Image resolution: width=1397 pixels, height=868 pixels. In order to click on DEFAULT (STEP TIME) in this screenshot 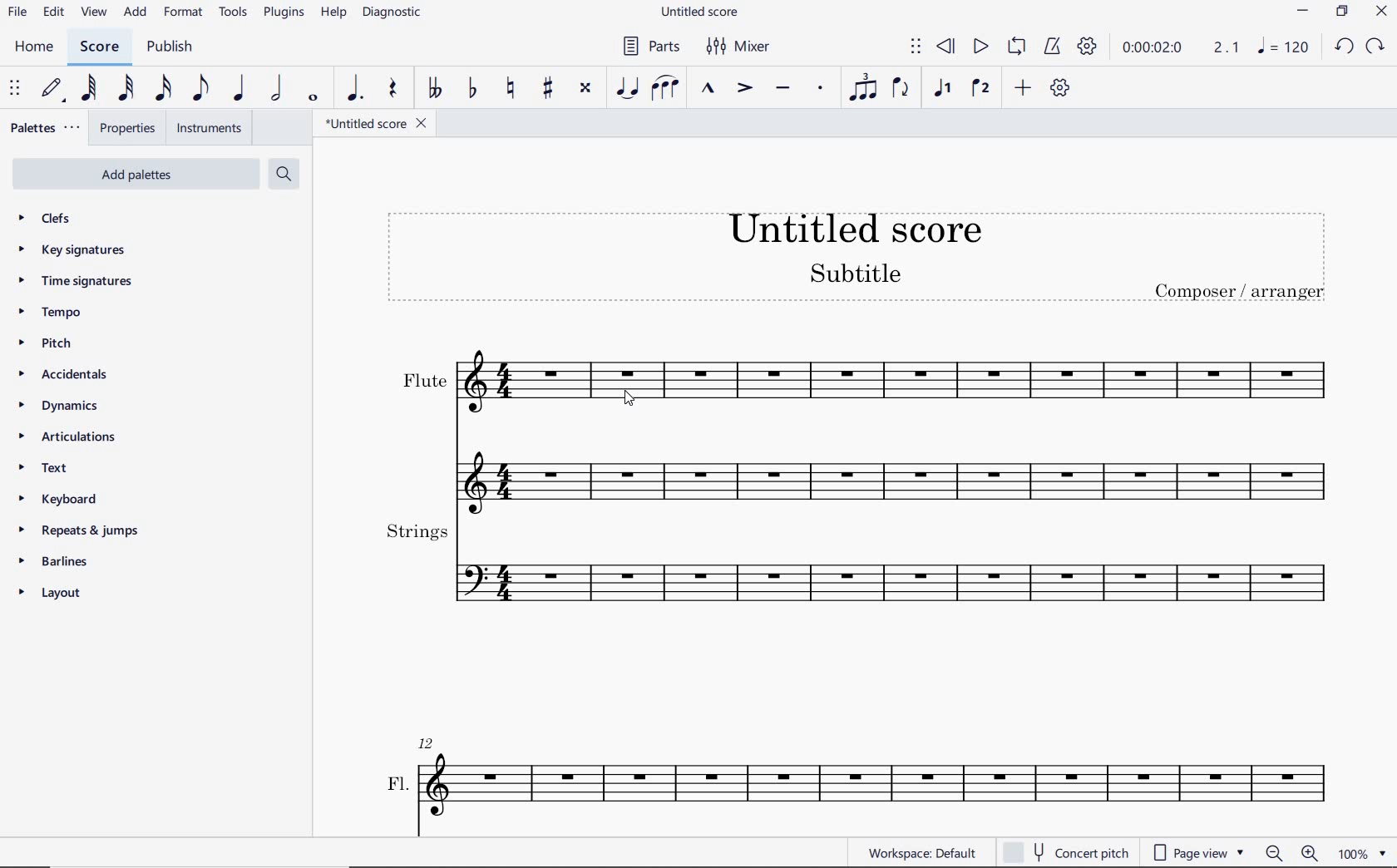, I will do `click(54, 89)`.